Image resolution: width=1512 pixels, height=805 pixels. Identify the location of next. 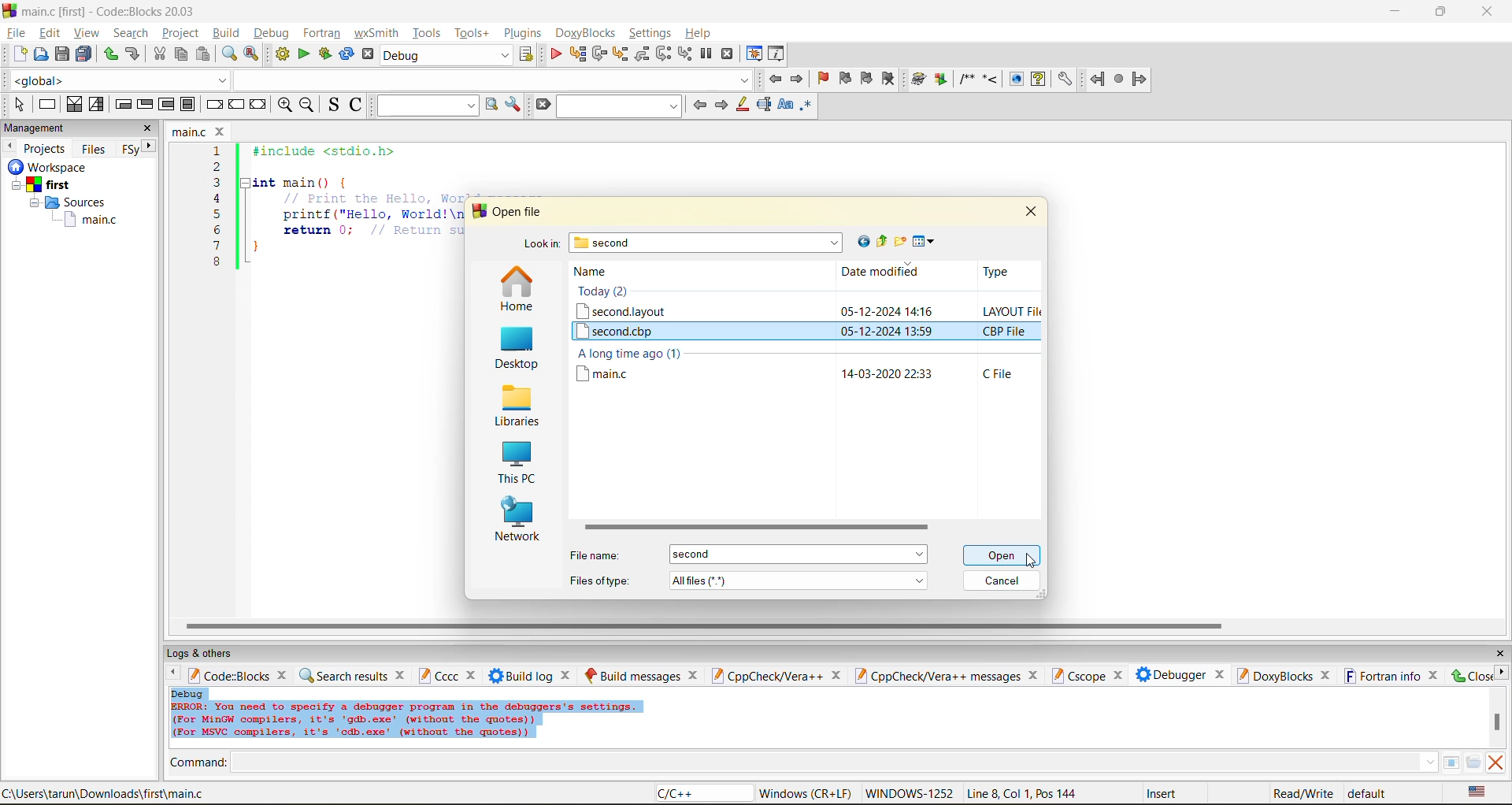
(721, 105).